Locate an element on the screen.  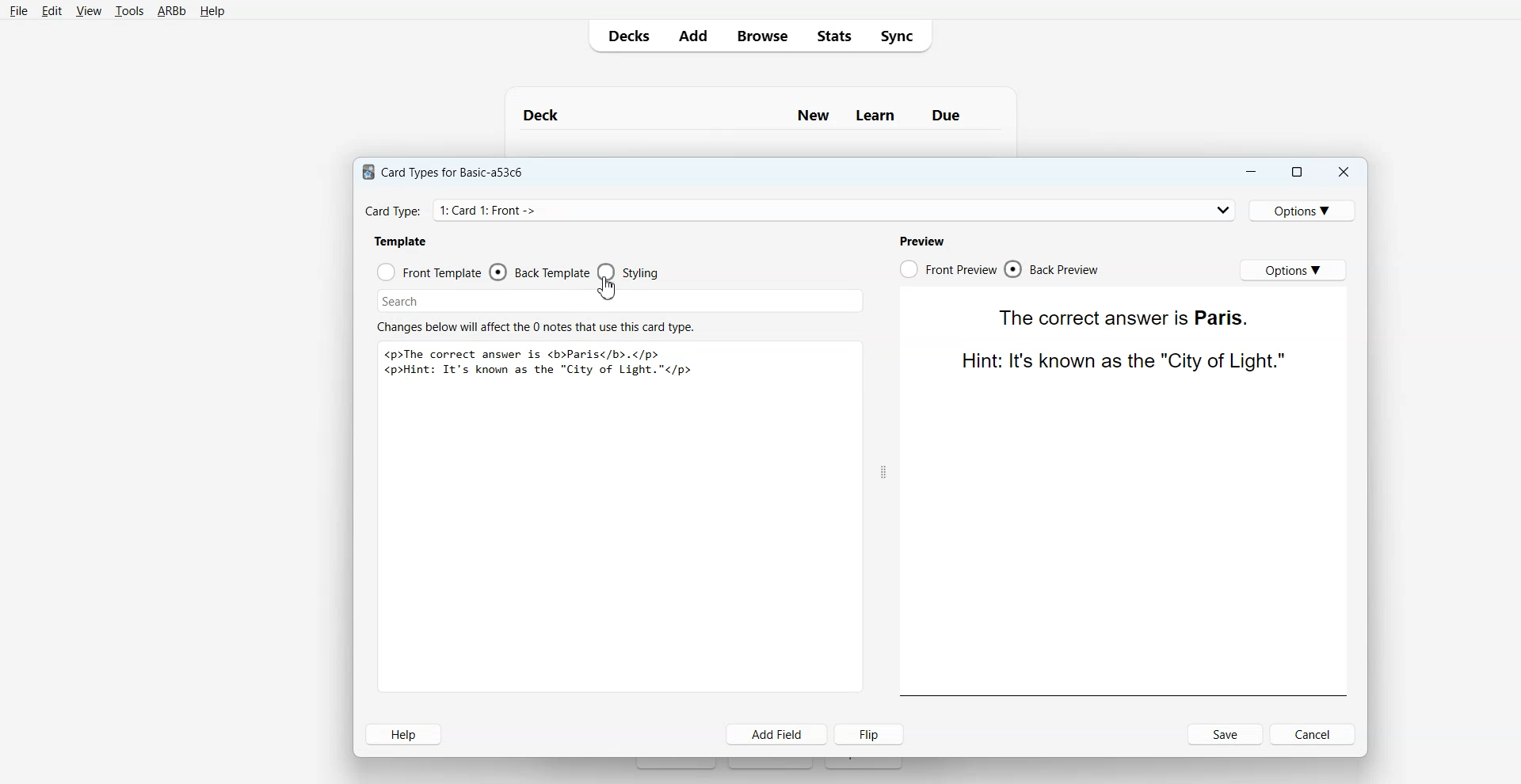
Back Template is located at coordinates (539, 272).